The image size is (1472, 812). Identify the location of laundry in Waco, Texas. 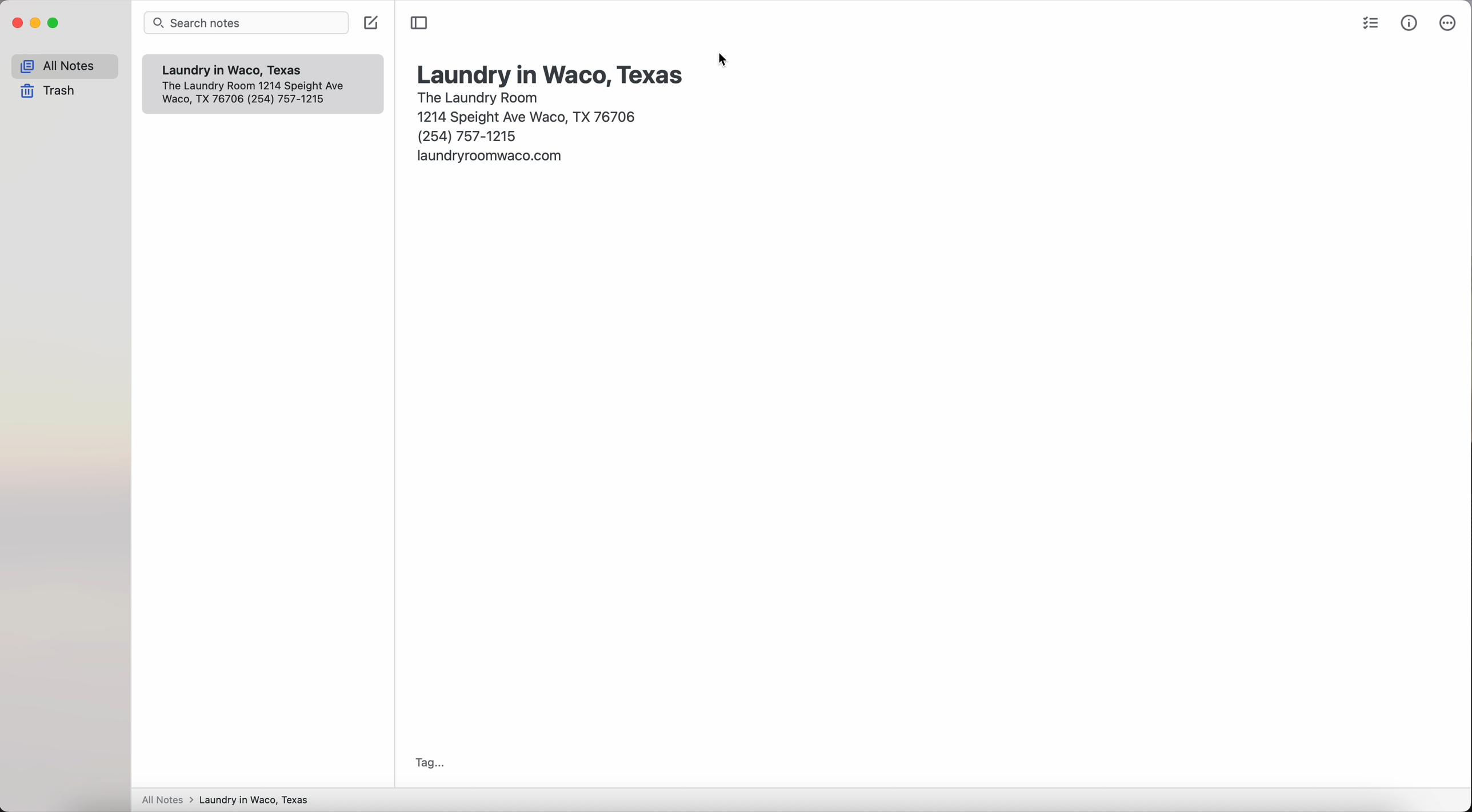
(552, 74).